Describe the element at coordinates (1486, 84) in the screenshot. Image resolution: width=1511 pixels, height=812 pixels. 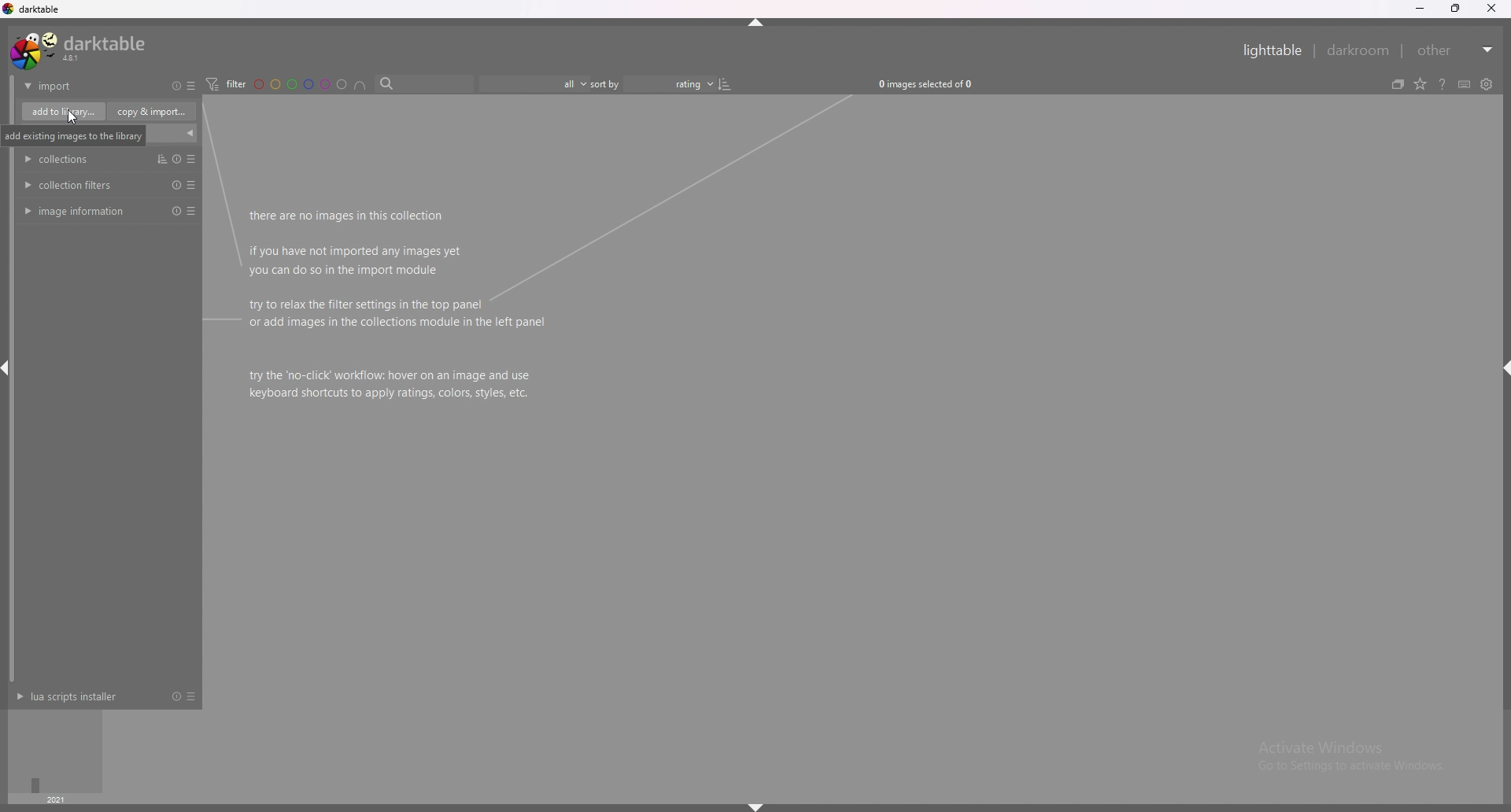
I see `show global preferences` at that location.